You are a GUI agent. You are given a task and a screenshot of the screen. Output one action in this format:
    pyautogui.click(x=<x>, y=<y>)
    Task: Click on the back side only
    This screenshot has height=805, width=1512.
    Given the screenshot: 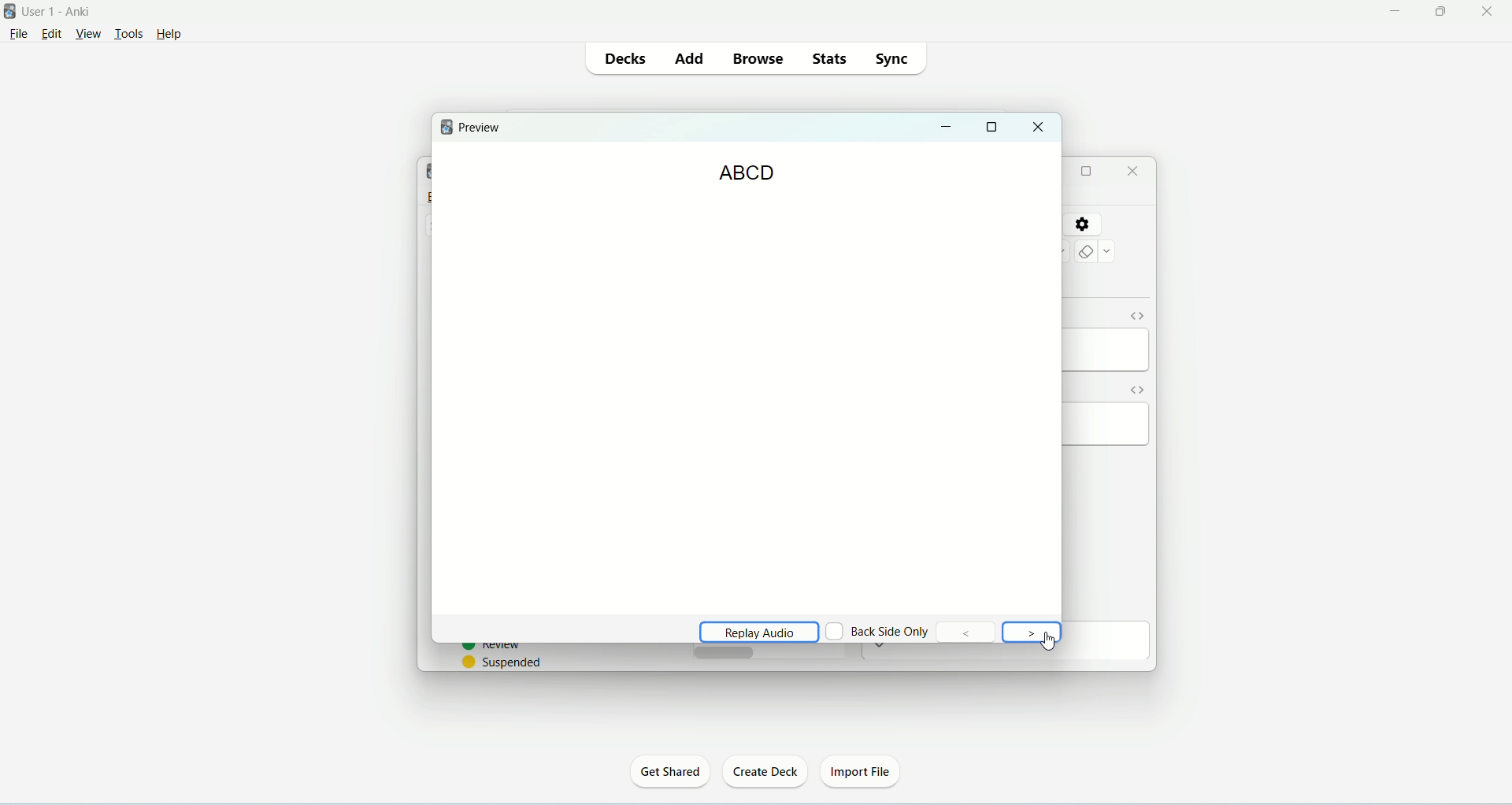 What is the action you would take?
    pyautogui.click(x=880, y=631)
    